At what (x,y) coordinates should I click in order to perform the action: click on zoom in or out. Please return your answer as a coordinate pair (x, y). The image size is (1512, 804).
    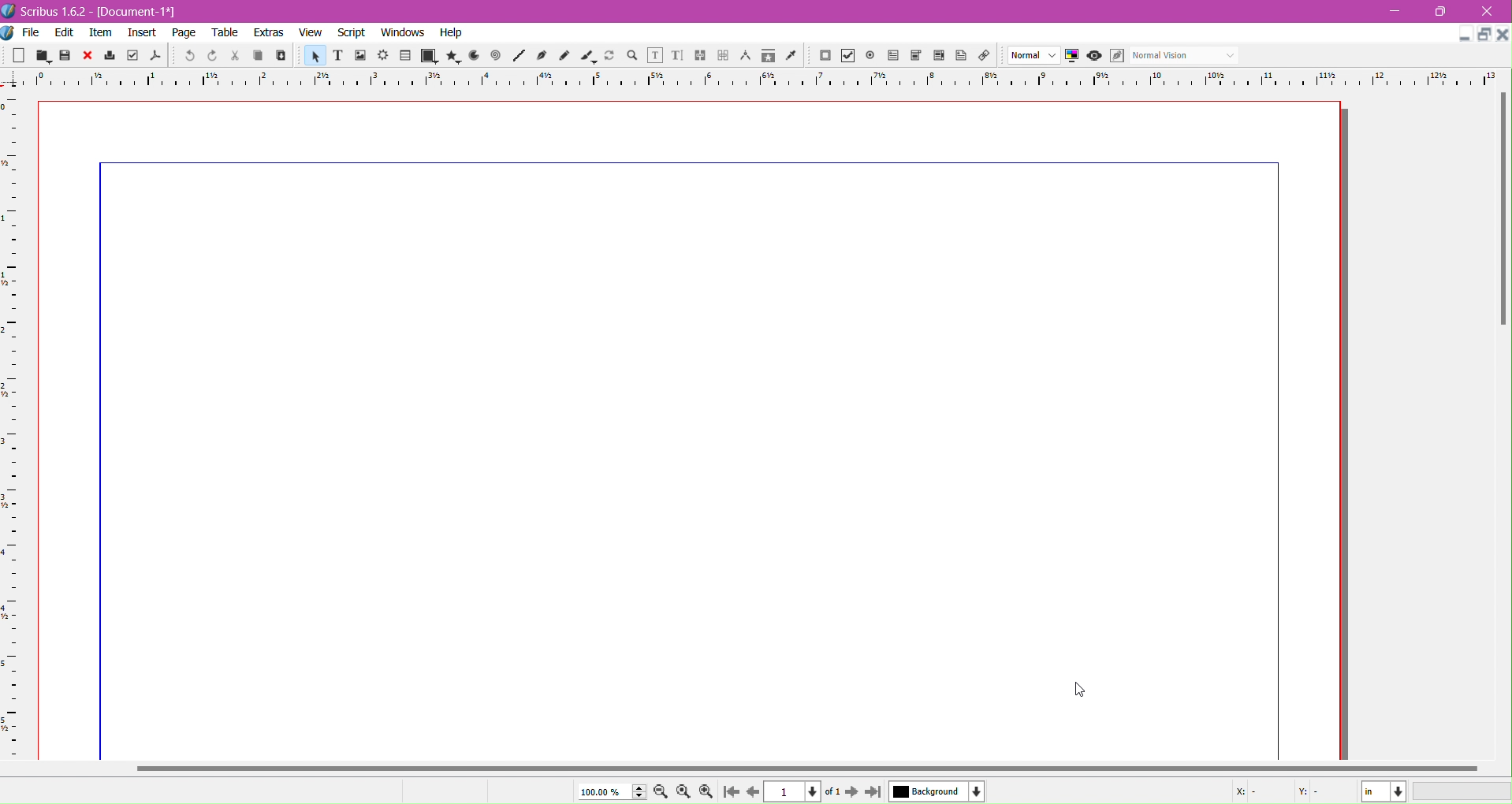
    Looking at the image, I should click on (634, 57).